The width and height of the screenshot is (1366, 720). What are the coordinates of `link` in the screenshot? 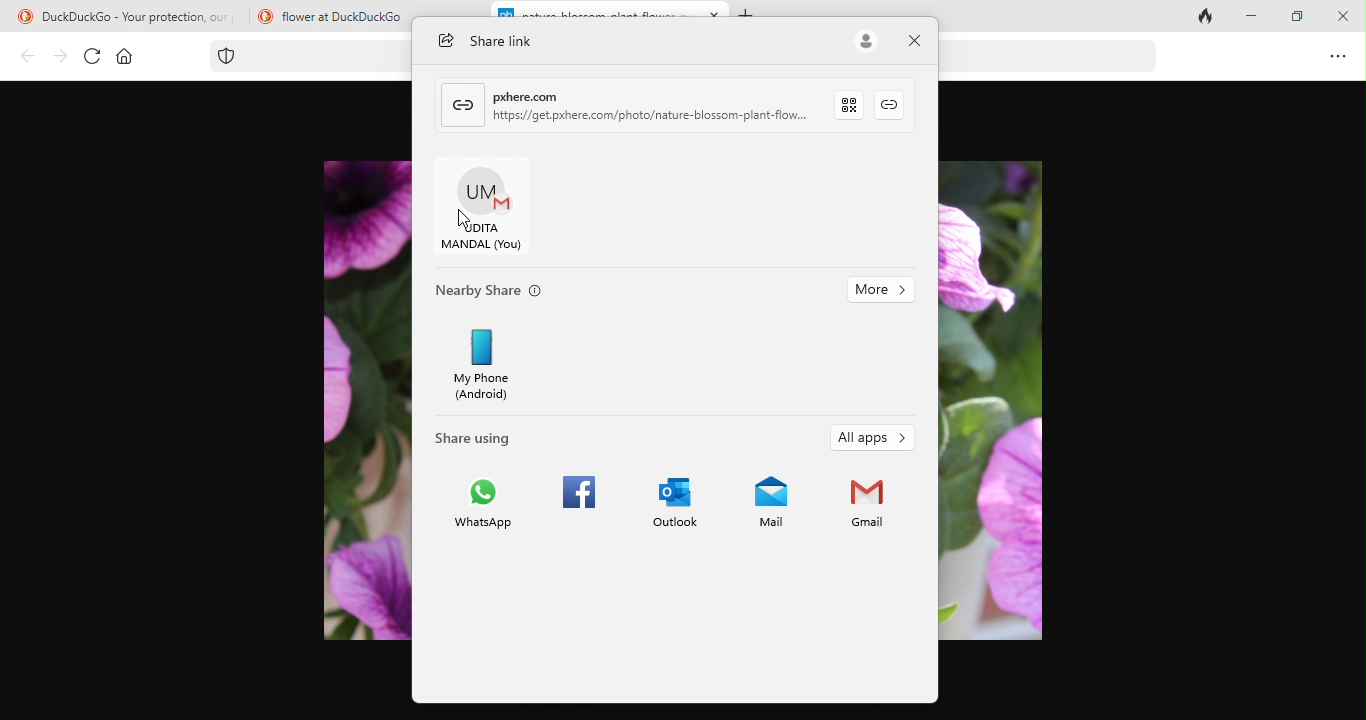 It's located at (897, 104).